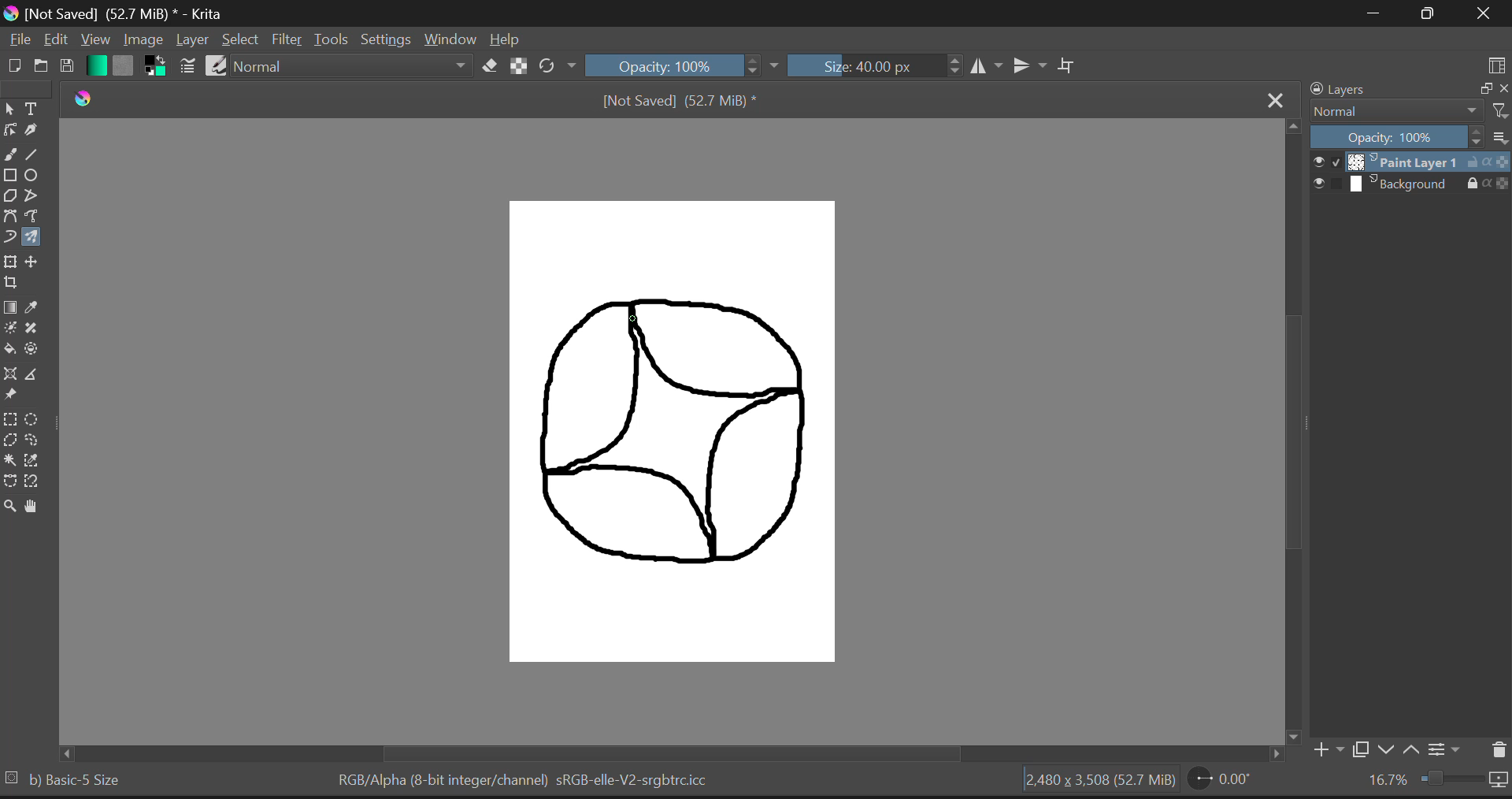 The image size is (1512, 799). What do you see at coordinates (1389, 750) in the screenshot?
I see `Move Layer Down` at bounding box center [1389, 750].